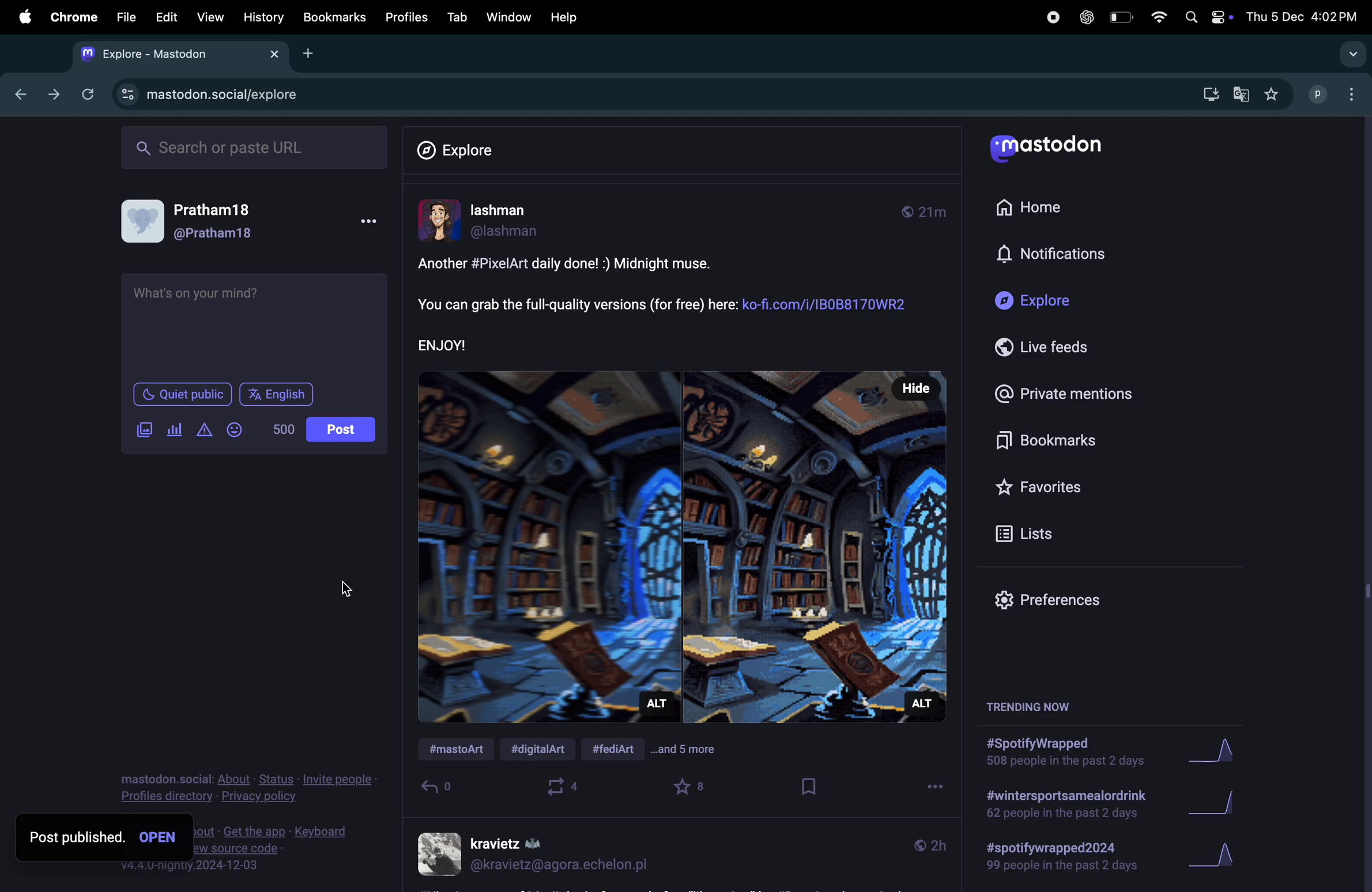  What do you see at coordinates (282, 430) in the screenshot?
I see `500 words` at bounding box center [282, 430].